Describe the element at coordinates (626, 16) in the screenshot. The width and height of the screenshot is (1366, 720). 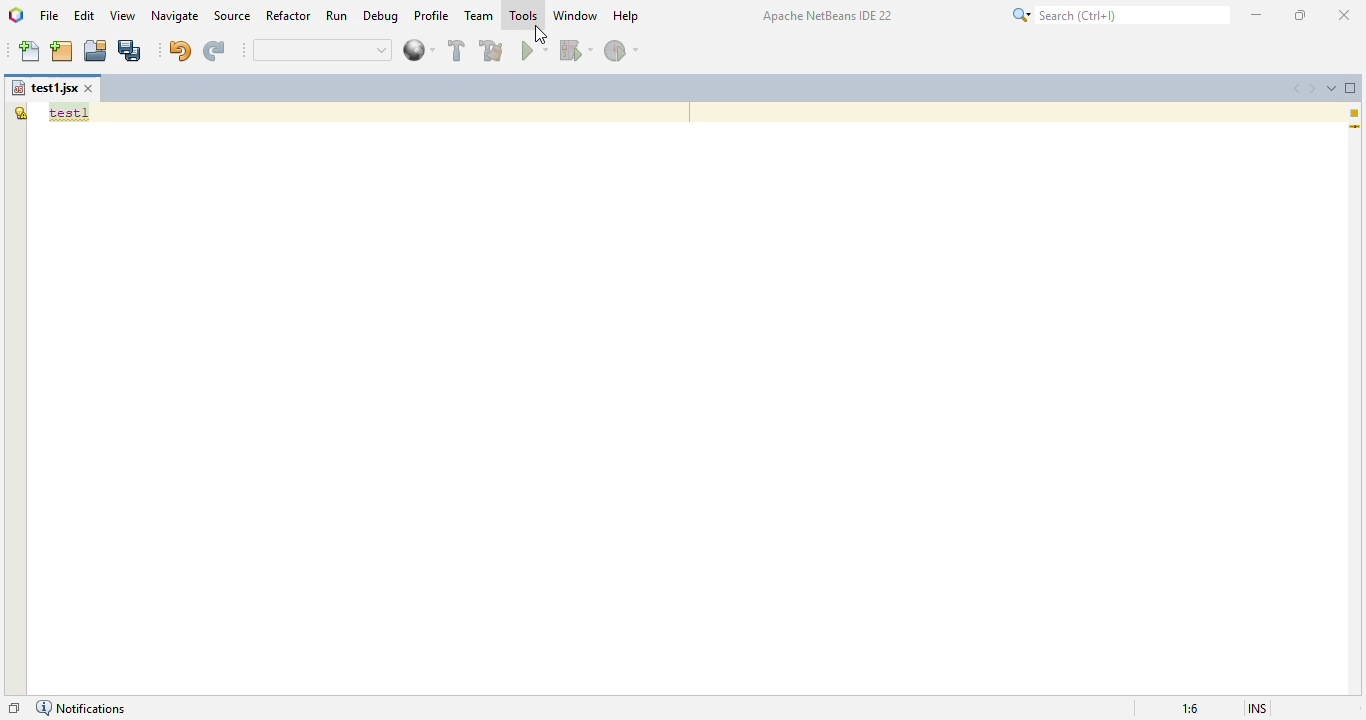
I see `help` at that location.